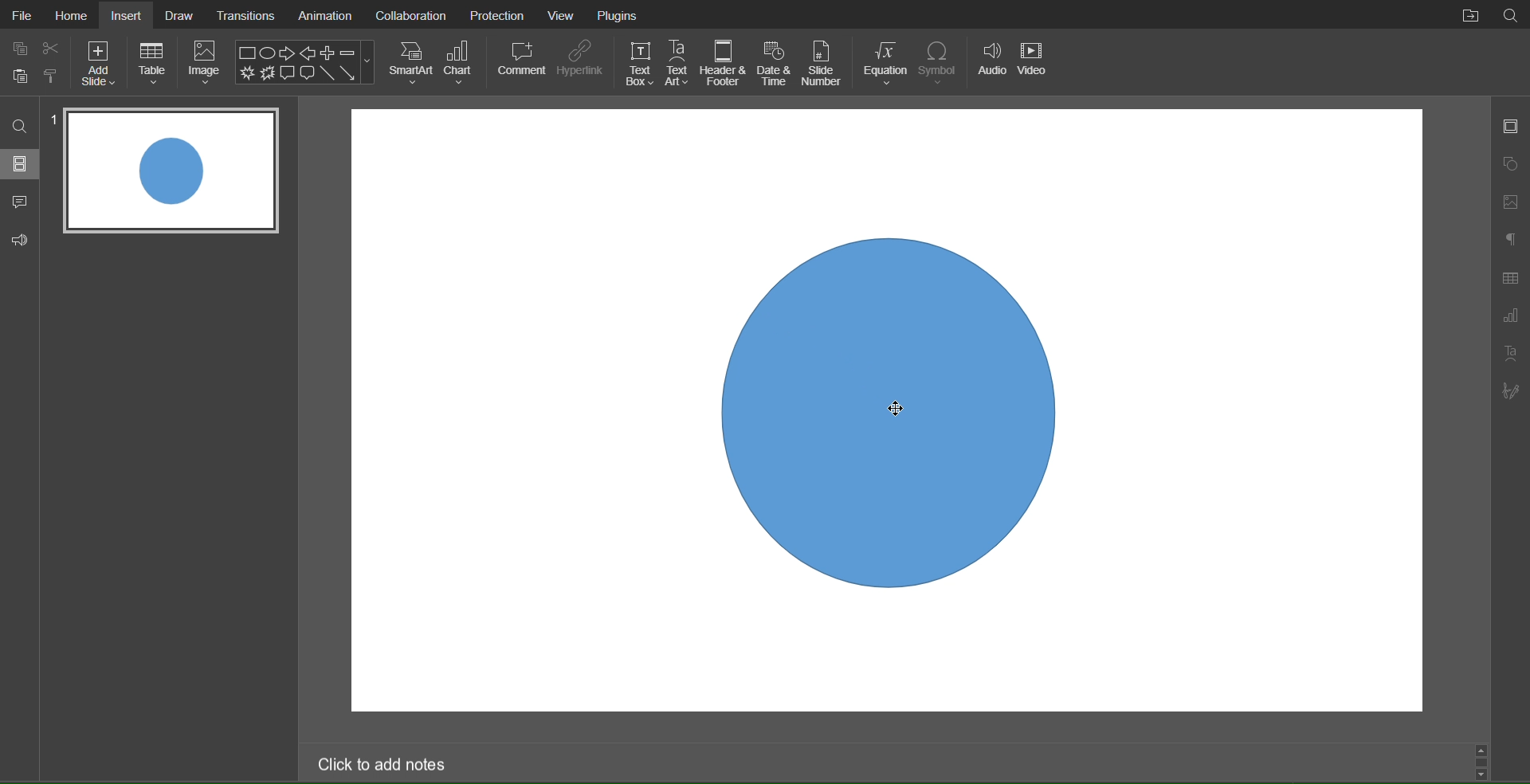 The image size is (1530, 784). I want to click on Insert, so click(127, 14).